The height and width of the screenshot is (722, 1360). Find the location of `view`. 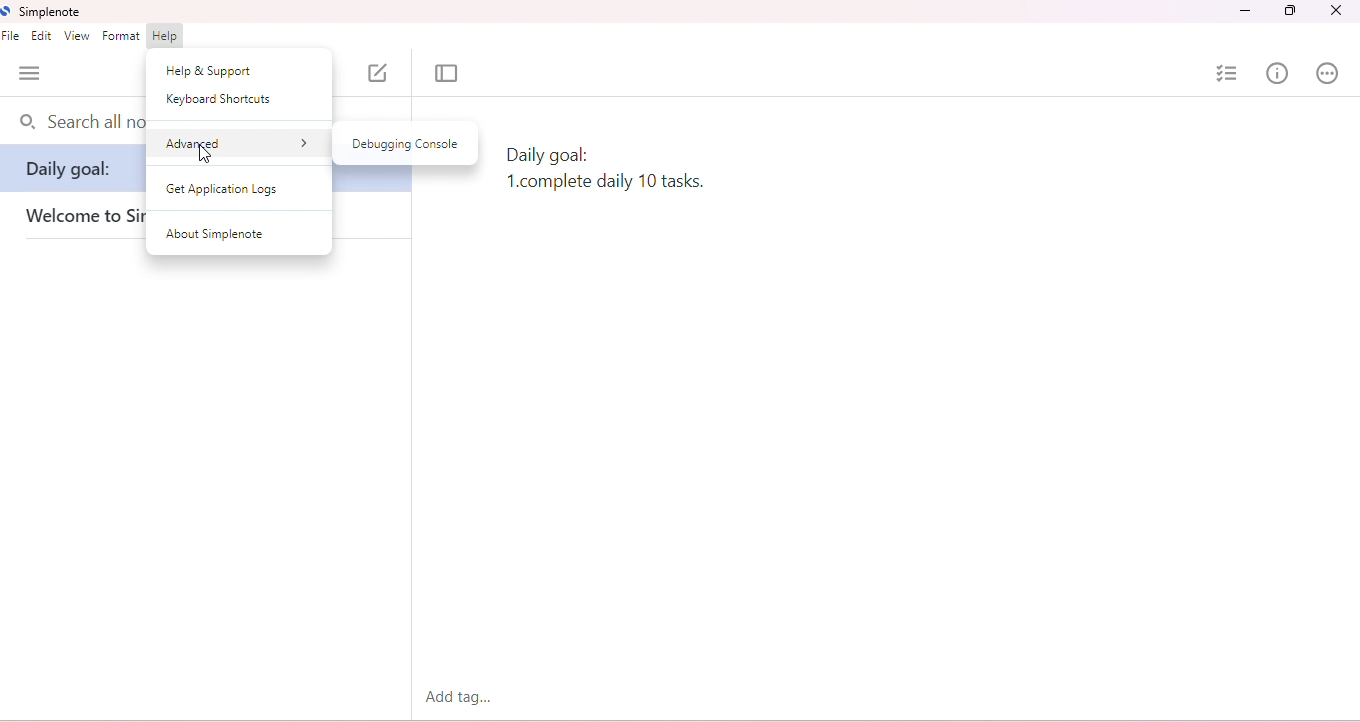

view is located at coordinates (76, 36).